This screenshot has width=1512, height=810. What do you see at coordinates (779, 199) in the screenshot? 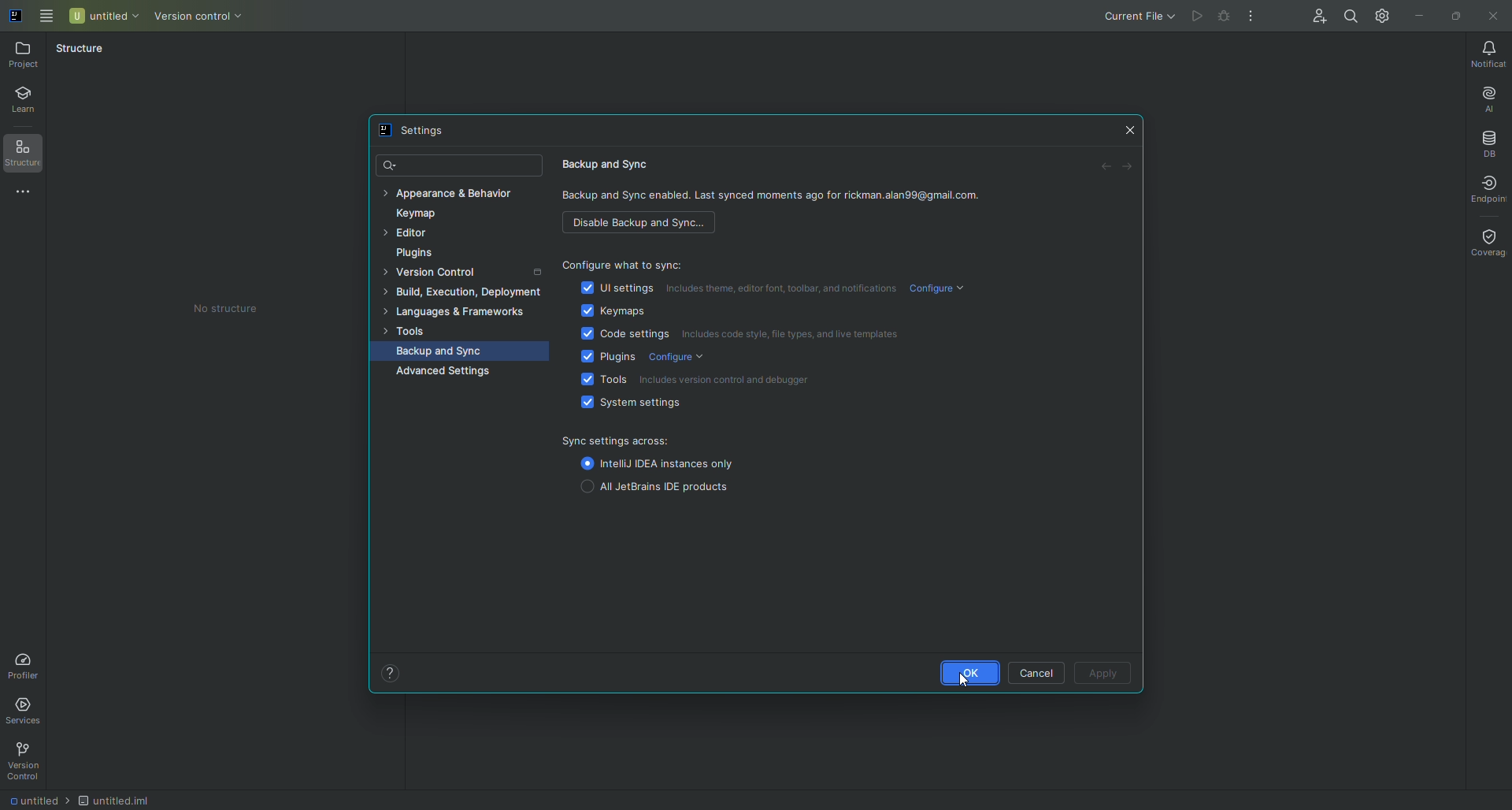
I see `Backup and Sync disabled` at bounding box center [779, 199].